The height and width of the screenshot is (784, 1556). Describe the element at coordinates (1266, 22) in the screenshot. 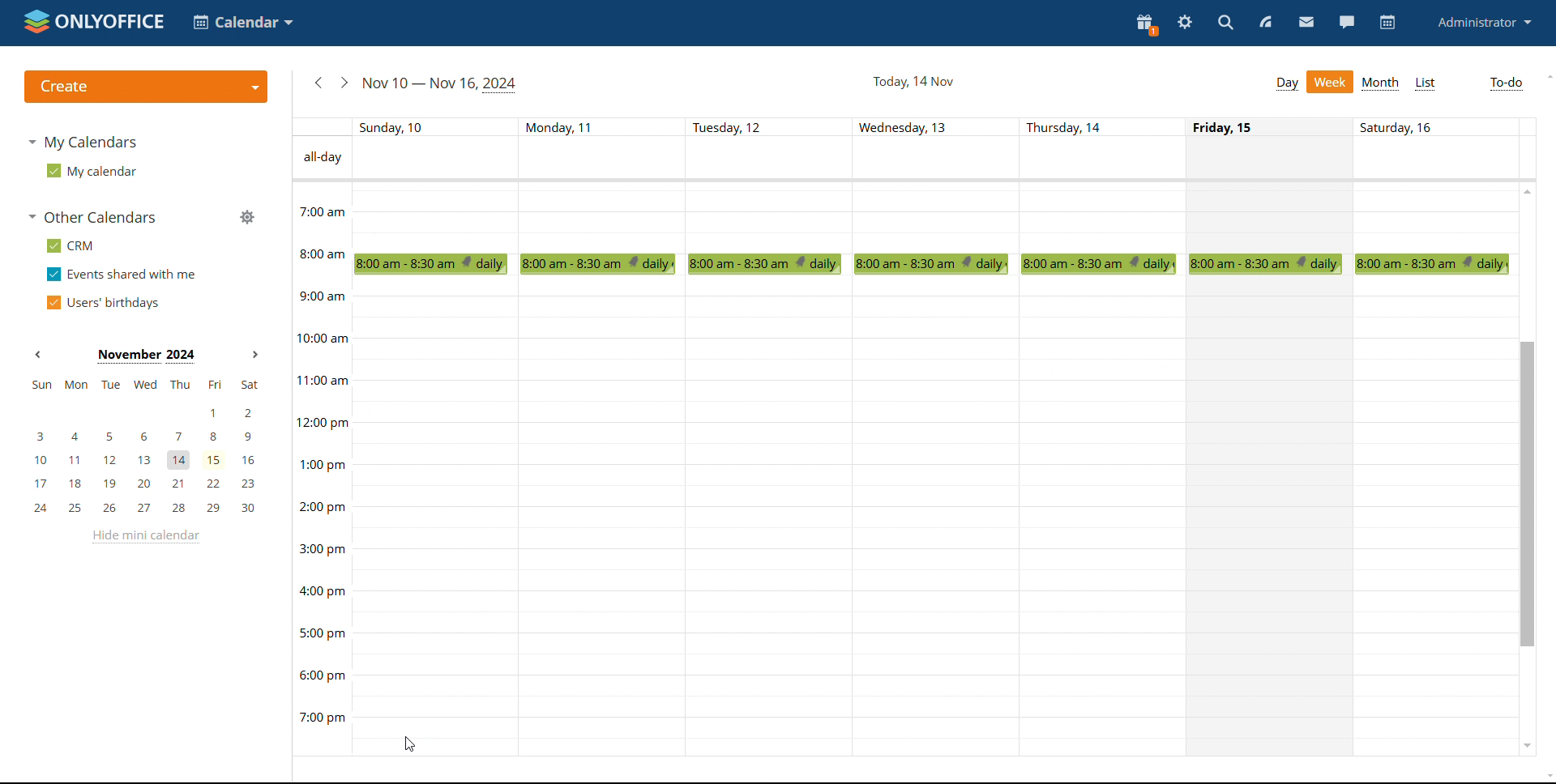

I see `feed` at that location.